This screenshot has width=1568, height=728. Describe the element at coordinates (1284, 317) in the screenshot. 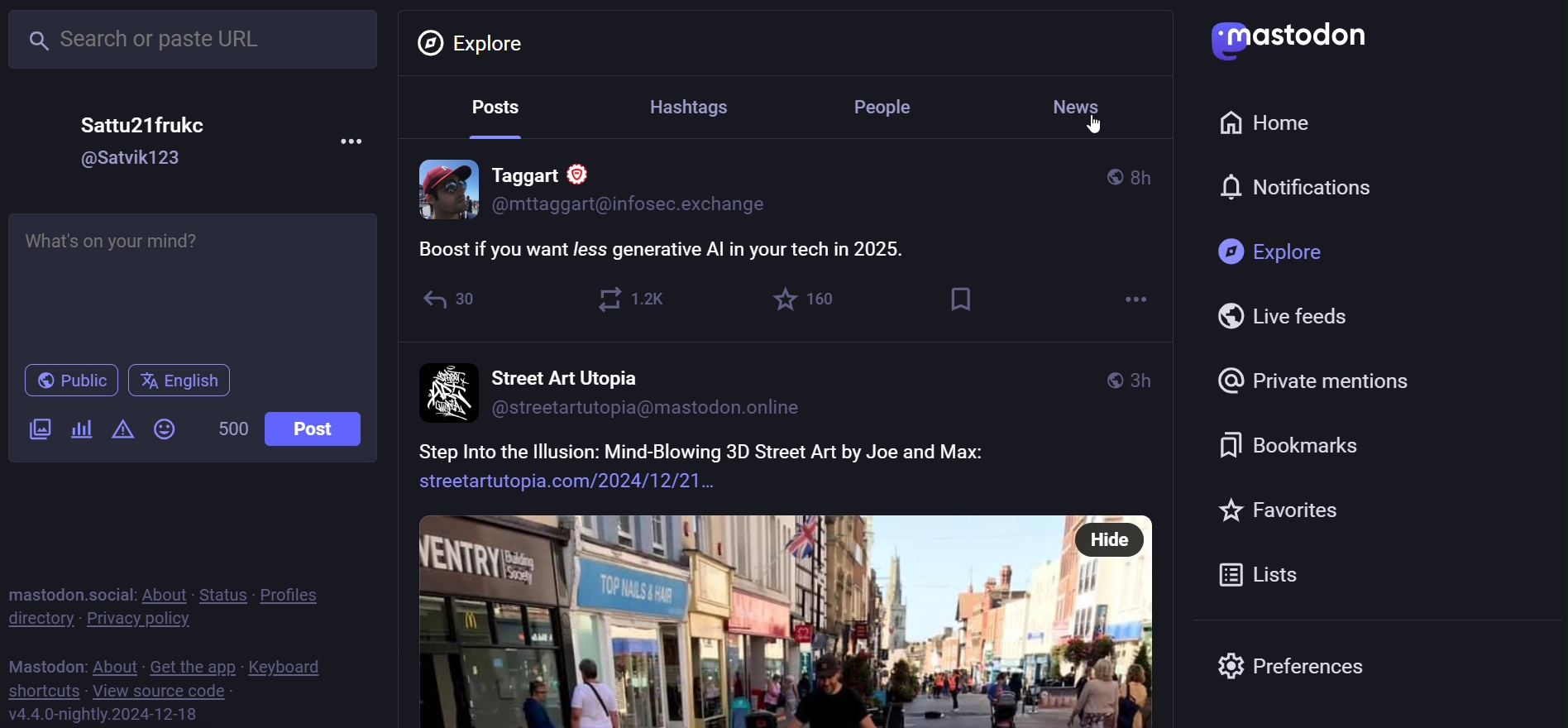

I see `live feed` at that location.